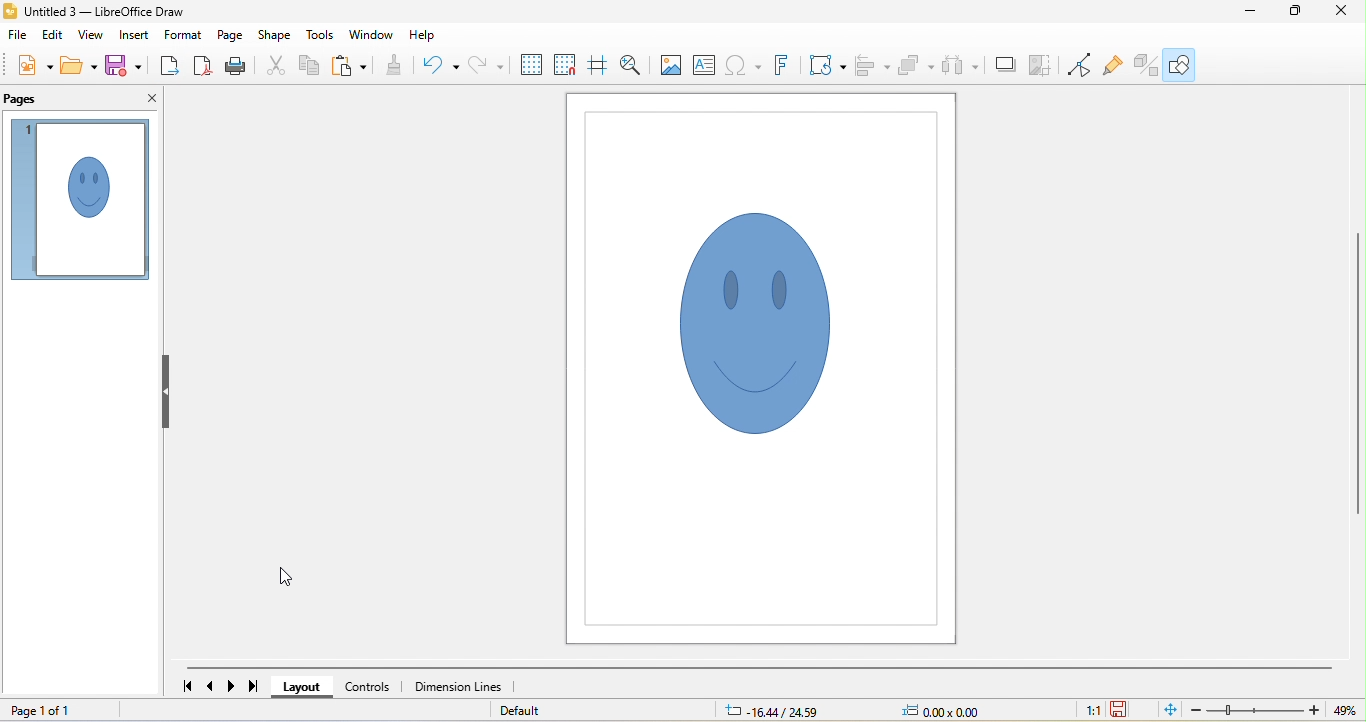 This screenshot has height=722, width=1366. Describe the element at coordinates (1341, 15) in the screenshot. I see `close` at that location.